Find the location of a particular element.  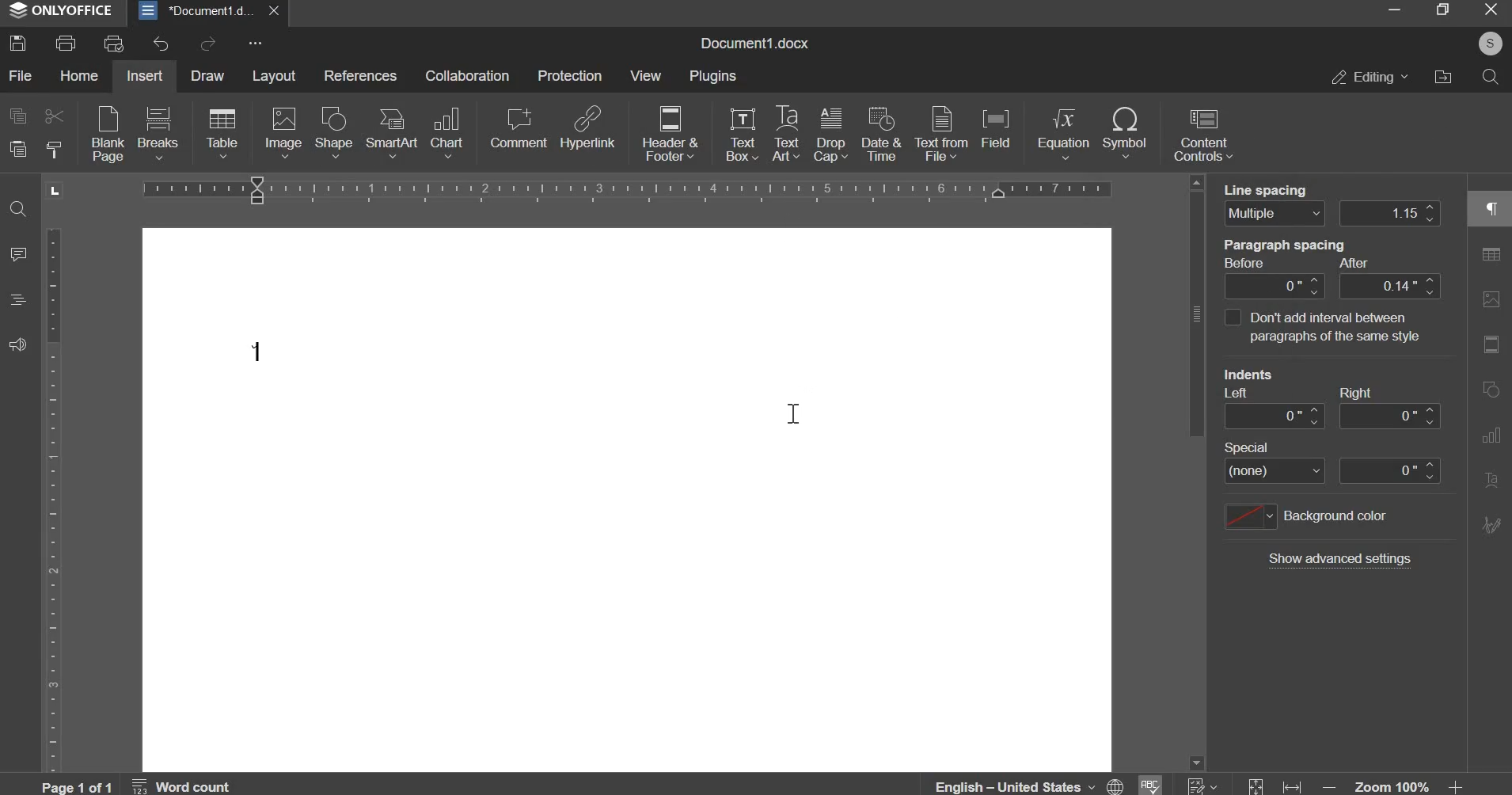

view is located at coordinates (647, 75).